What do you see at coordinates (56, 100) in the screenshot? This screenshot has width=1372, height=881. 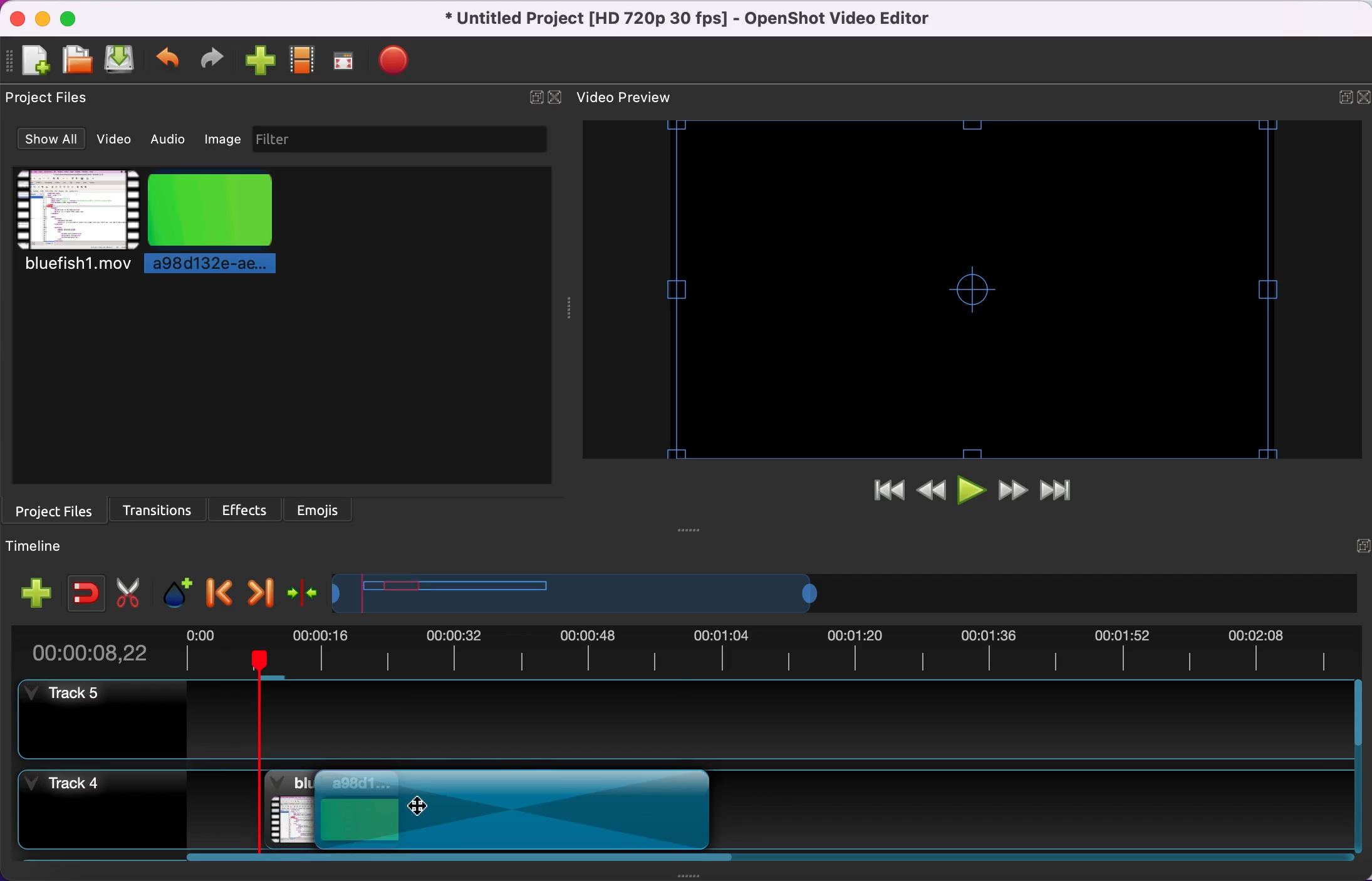 I see `project files` at bounding box center [56, 100].